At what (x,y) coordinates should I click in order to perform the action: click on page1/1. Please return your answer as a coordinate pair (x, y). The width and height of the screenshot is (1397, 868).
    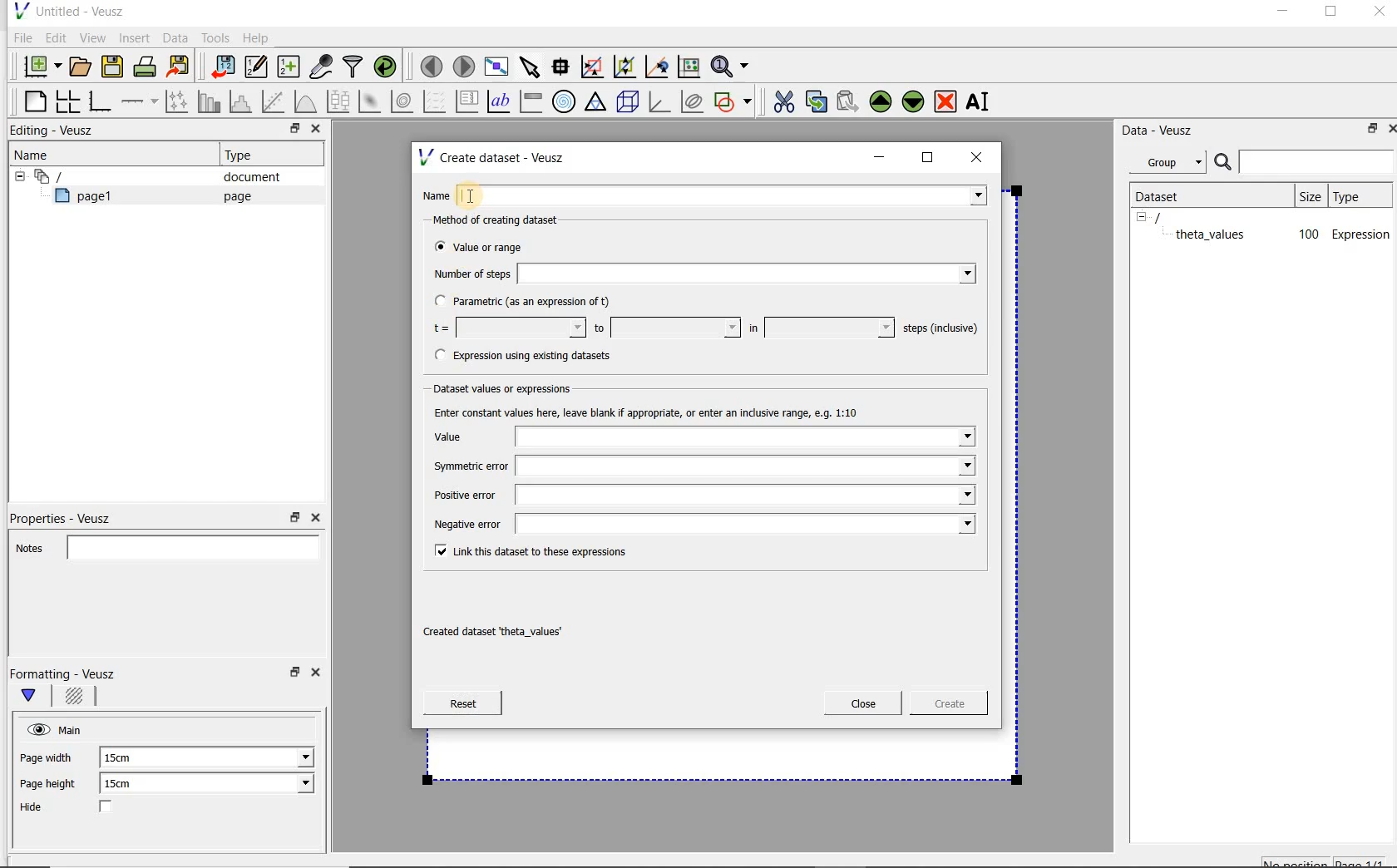
    Looking at the image, I should click on (1366, 861).